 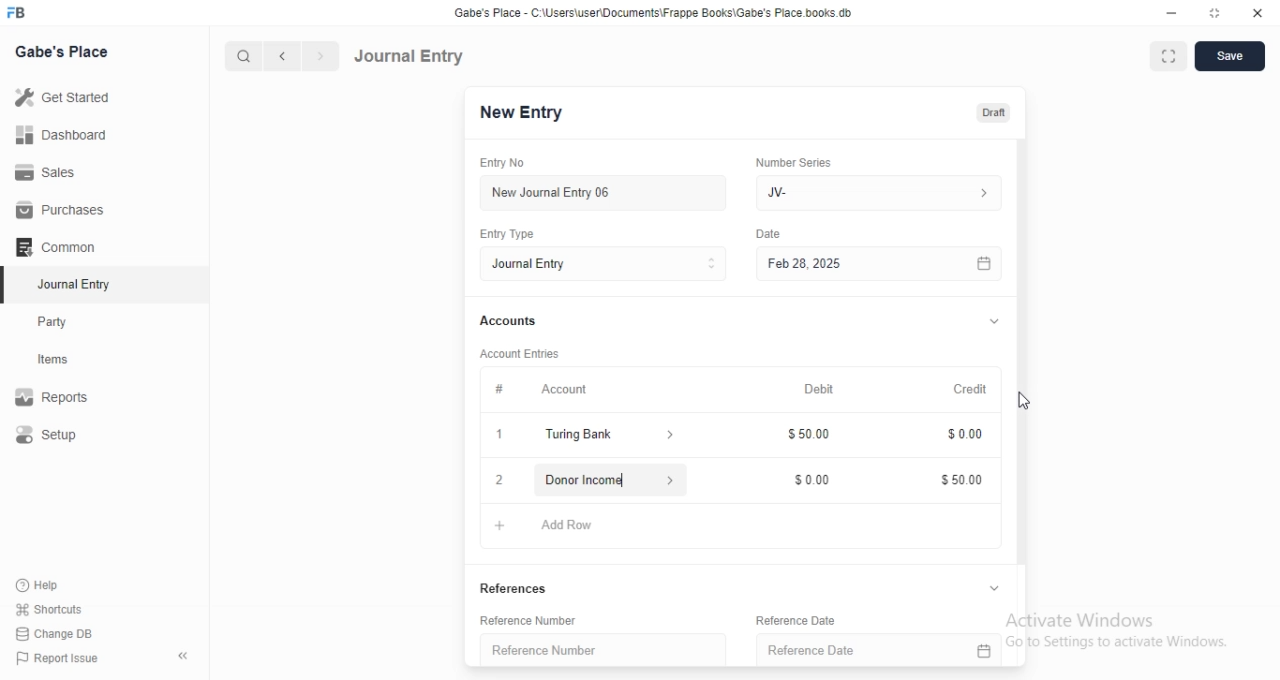 What do you see at coordinates (654, 13) in the screenshot?
I see `Gabe's Place - C\Users\userDocuments Frappe Books\Gabe's Place books db.` at bounding box center [654, 13].